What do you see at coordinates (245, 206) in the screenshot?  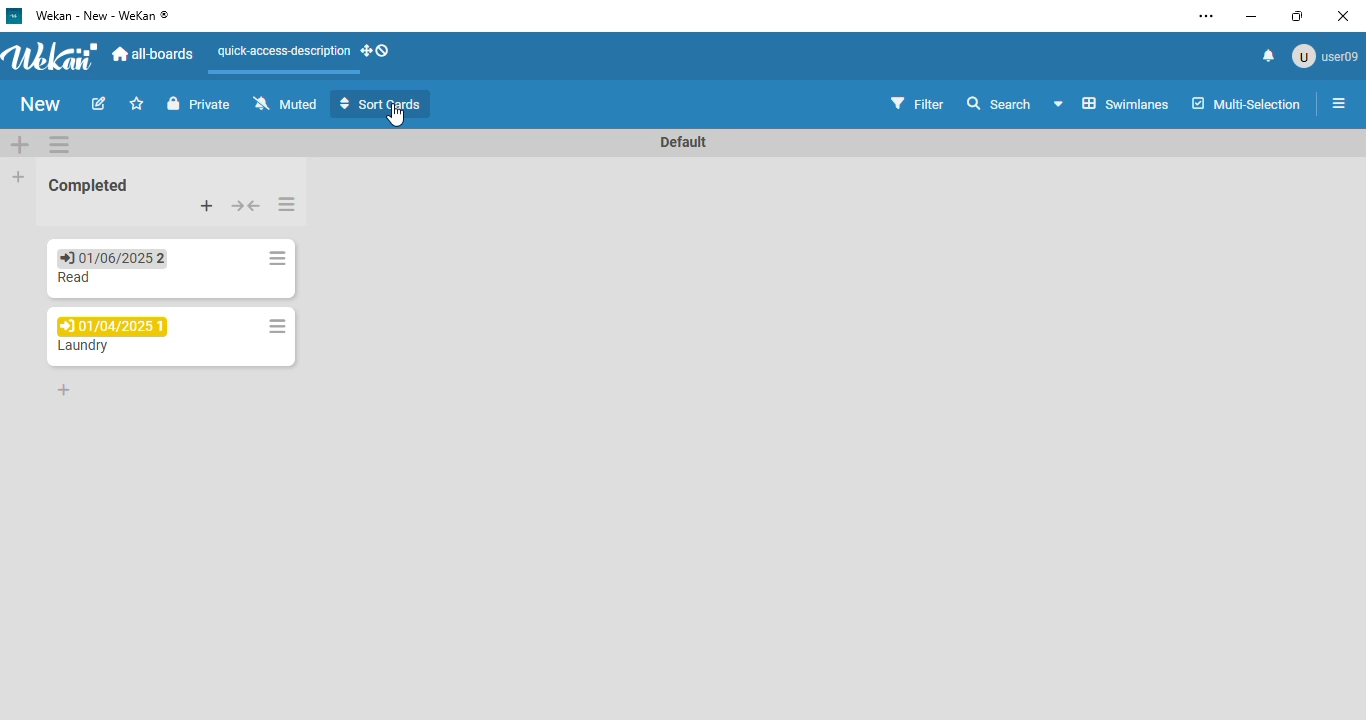 I see `collapse` at bounding box center [245, 206].